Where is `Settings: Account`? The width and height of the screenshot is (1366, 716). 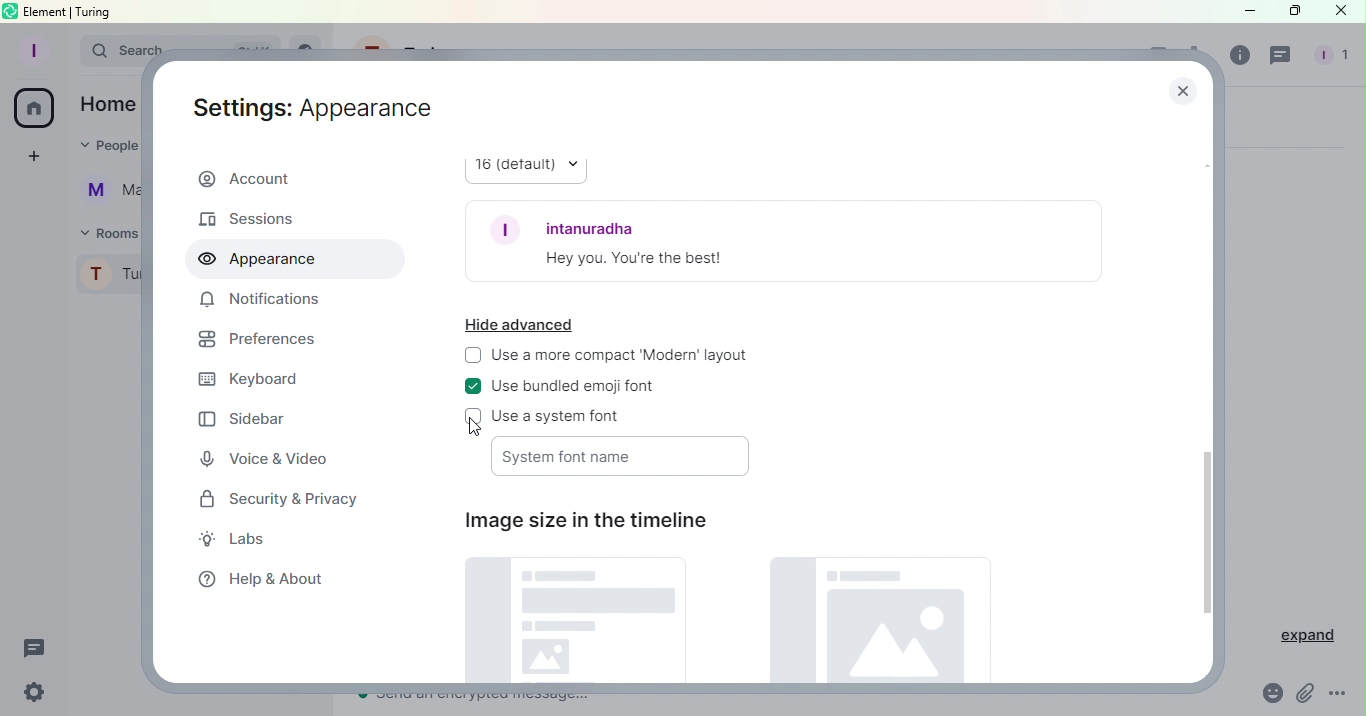
Settings: Account is located at coordinates (317, 103).